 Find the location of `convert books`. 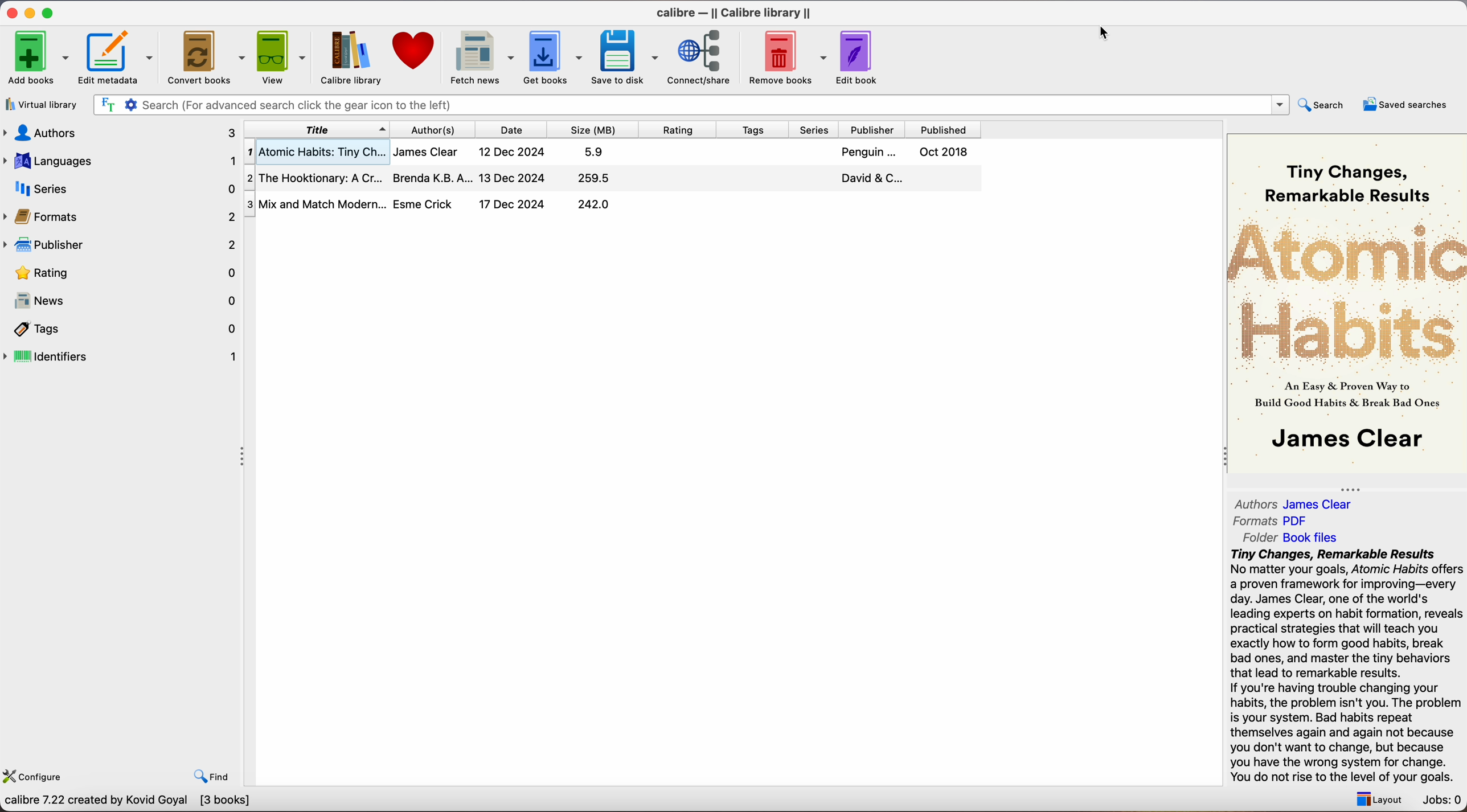

convert books is located at coordinates (208, 59).